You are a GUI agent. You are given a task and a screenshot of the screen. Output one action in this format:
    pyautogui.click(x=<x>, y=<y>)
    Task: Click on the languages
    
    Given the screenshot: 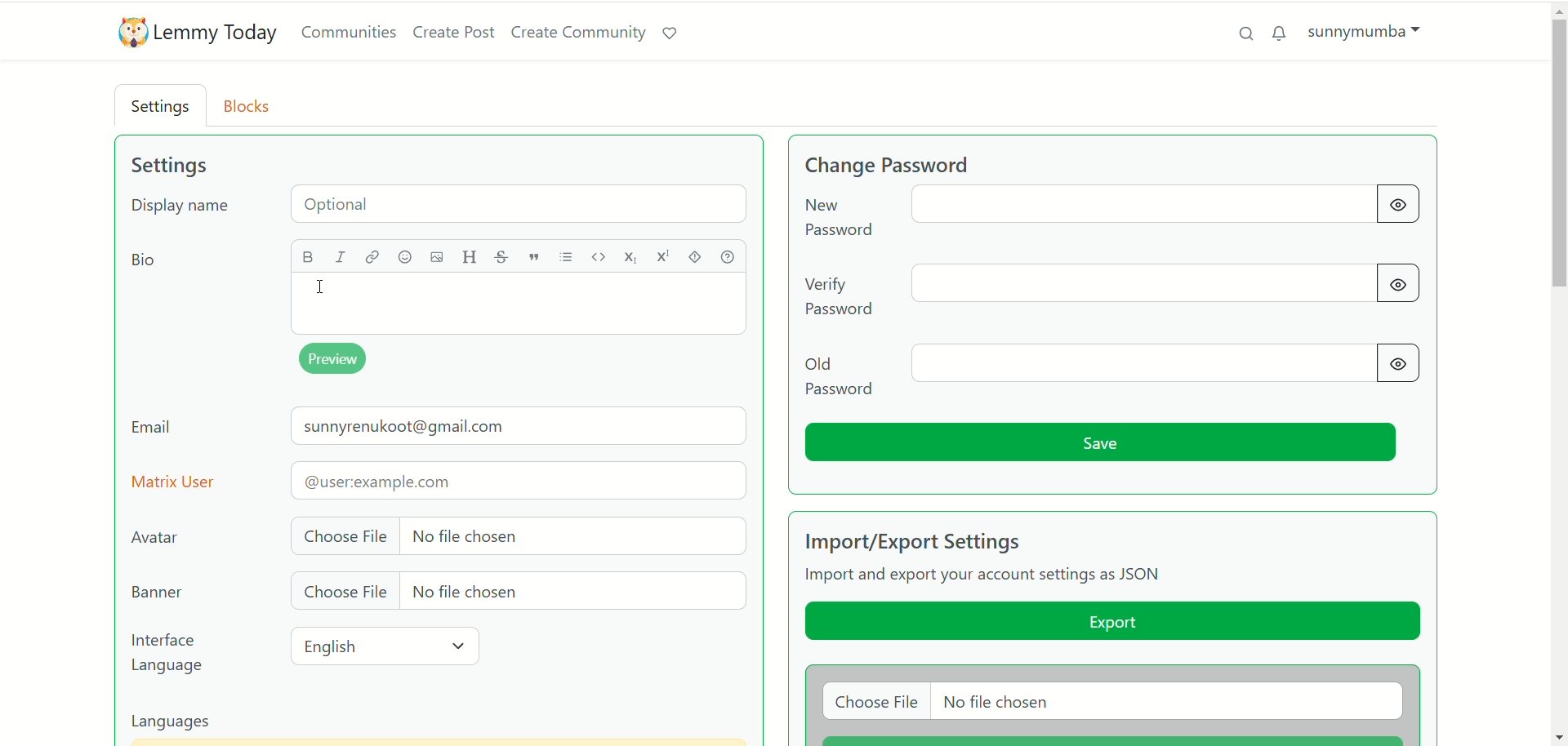 What is the action you would take?
    pyautogui.click(x=180, y=723)
    